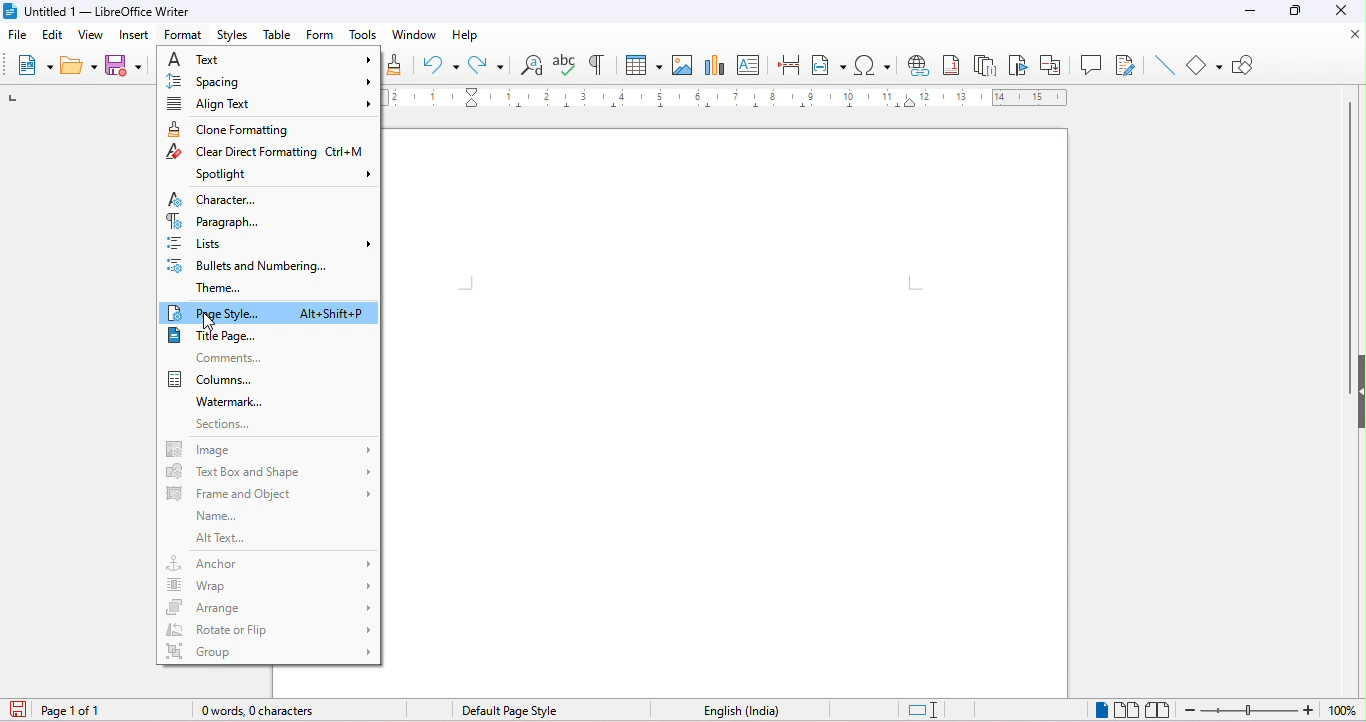 The width and height of the screenshot is (1366, 722). I want to click on find and replace, so click(532, 61).